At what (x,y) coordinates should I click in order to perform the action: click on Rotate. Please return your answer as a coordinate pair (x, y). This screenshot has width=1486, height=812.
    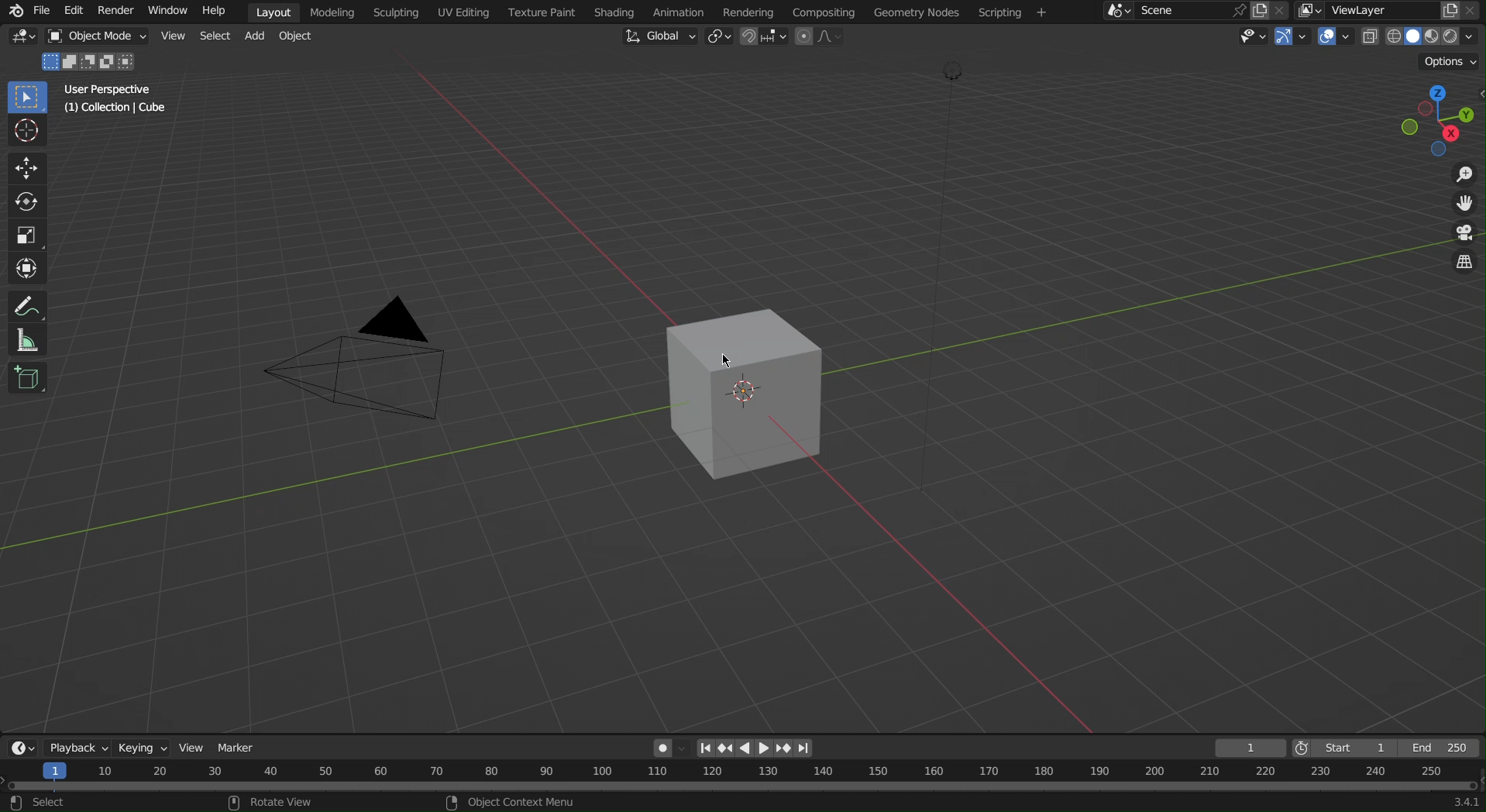
    Looking at the image, I should click on (24, 200).